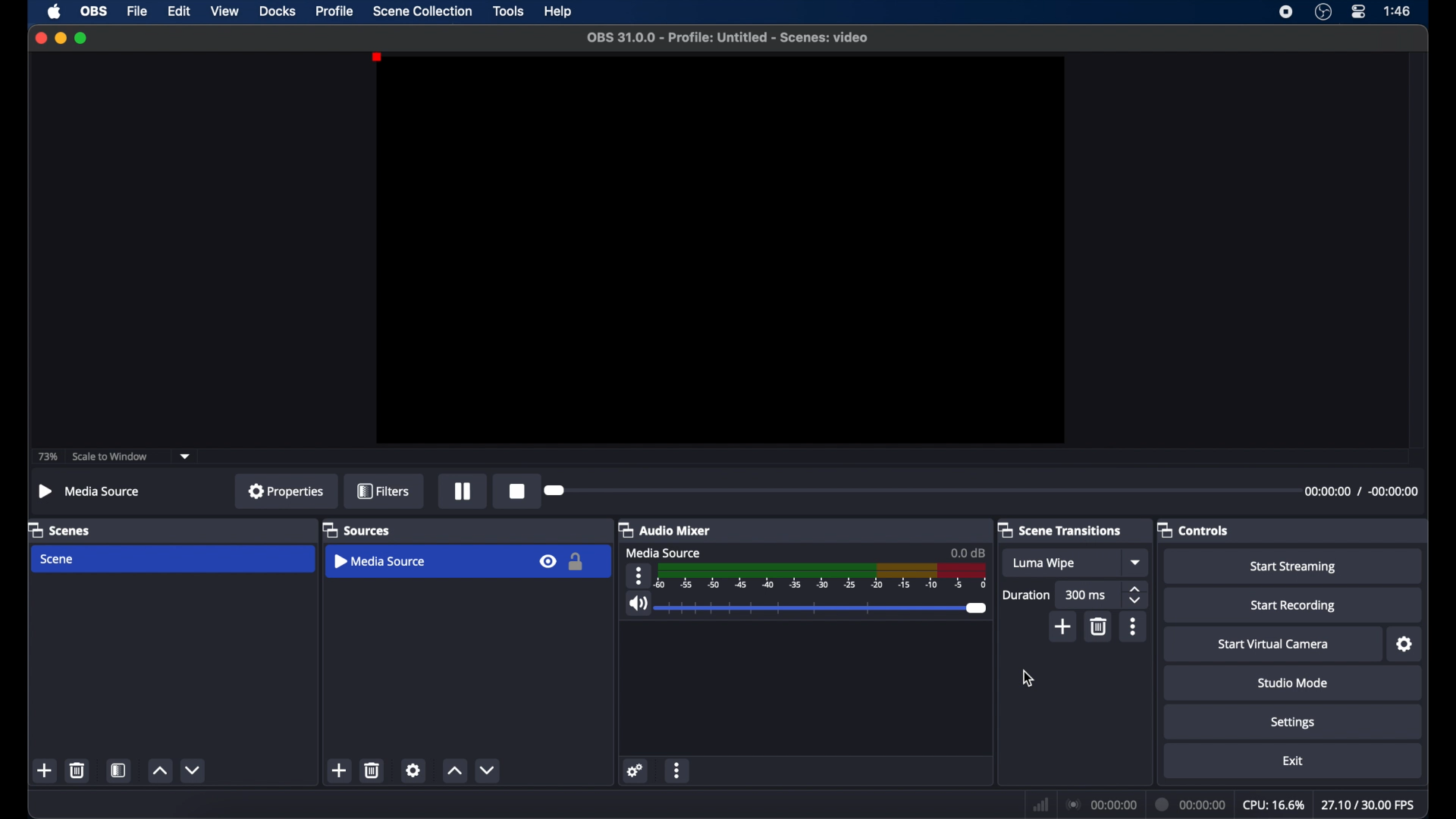  What do you see at coordinates (1294, 682) in the screenshot?
I see `studio mode` at bounding box center [1294, 682].